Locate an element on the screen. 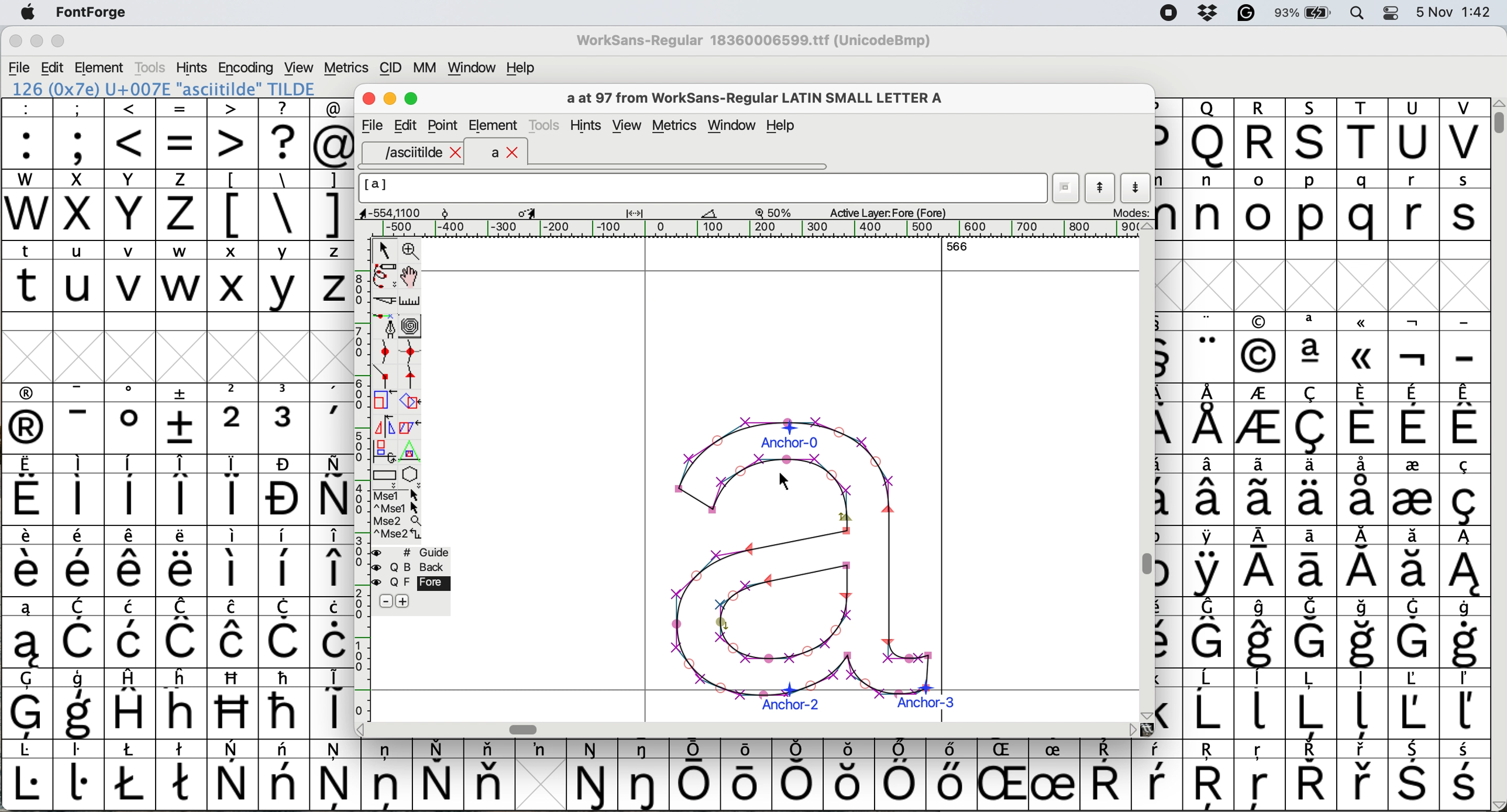 Image resolution: width=1507 pixels, height=812 pixels. control center is located at coordinates (1395, 12).